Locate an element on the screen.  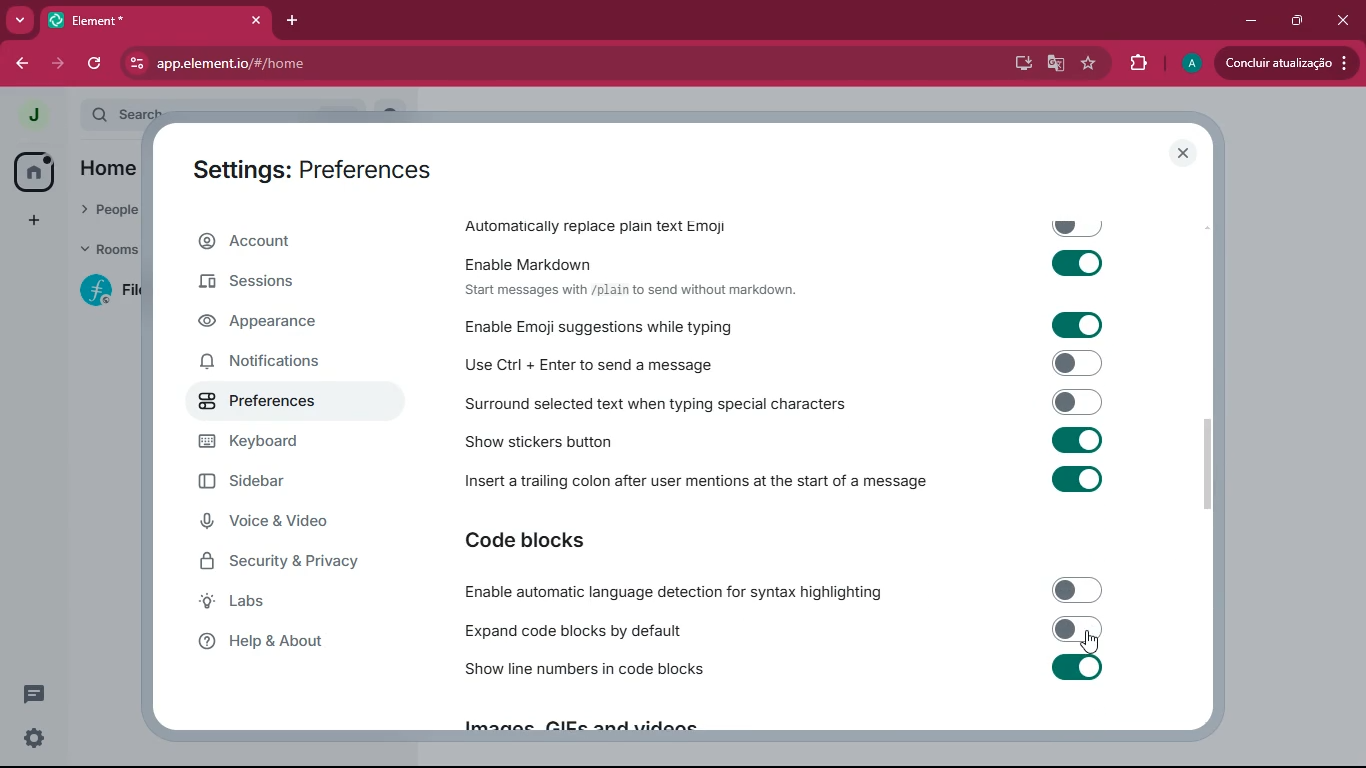
rooms is located at coordinates (103, 252).